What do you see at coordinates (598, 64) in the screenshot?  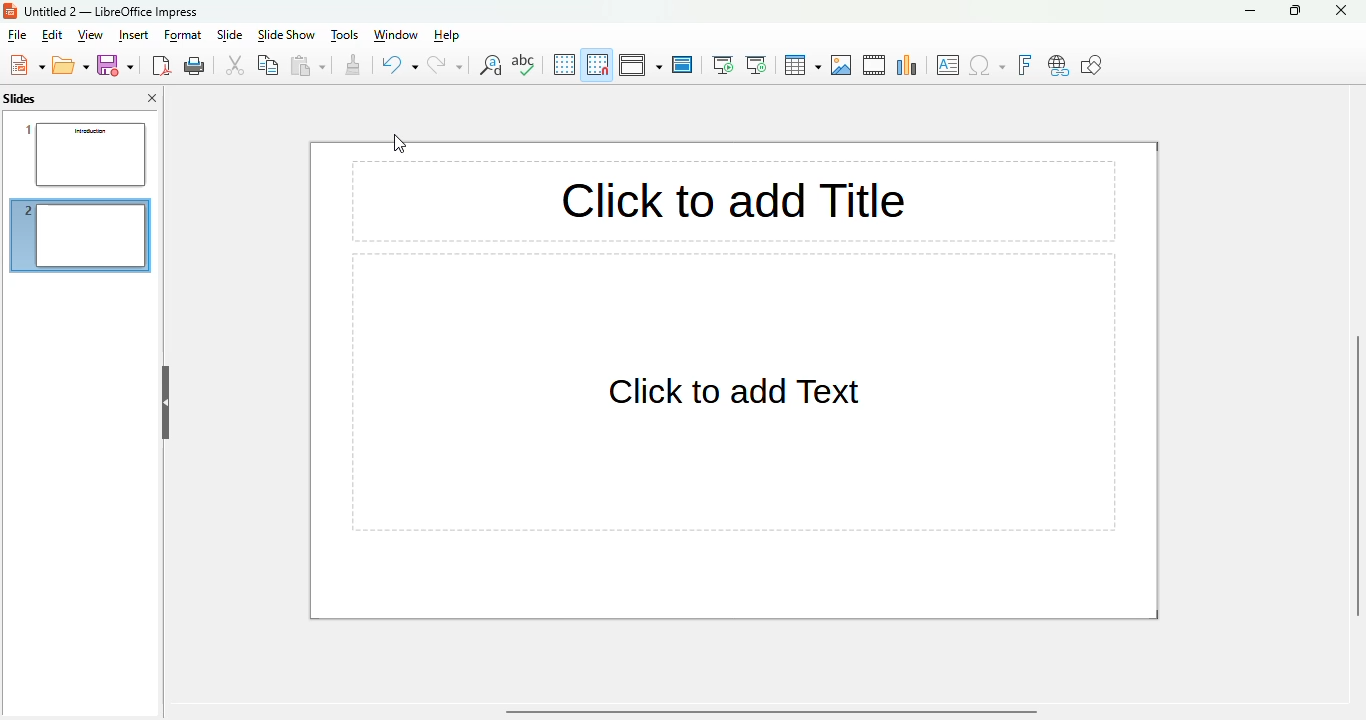 I see `snap to grid` at bounding box center [598, 64].